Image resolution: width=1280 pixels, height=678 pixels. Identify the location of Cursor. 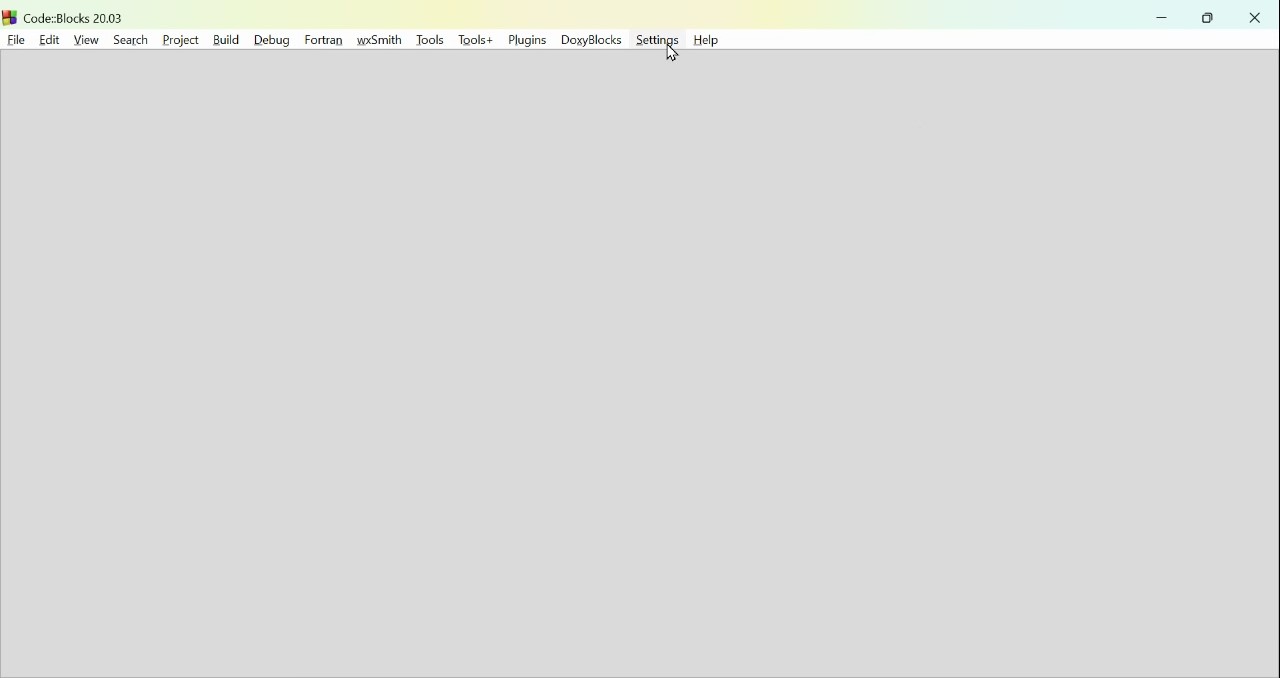
(673, 52).